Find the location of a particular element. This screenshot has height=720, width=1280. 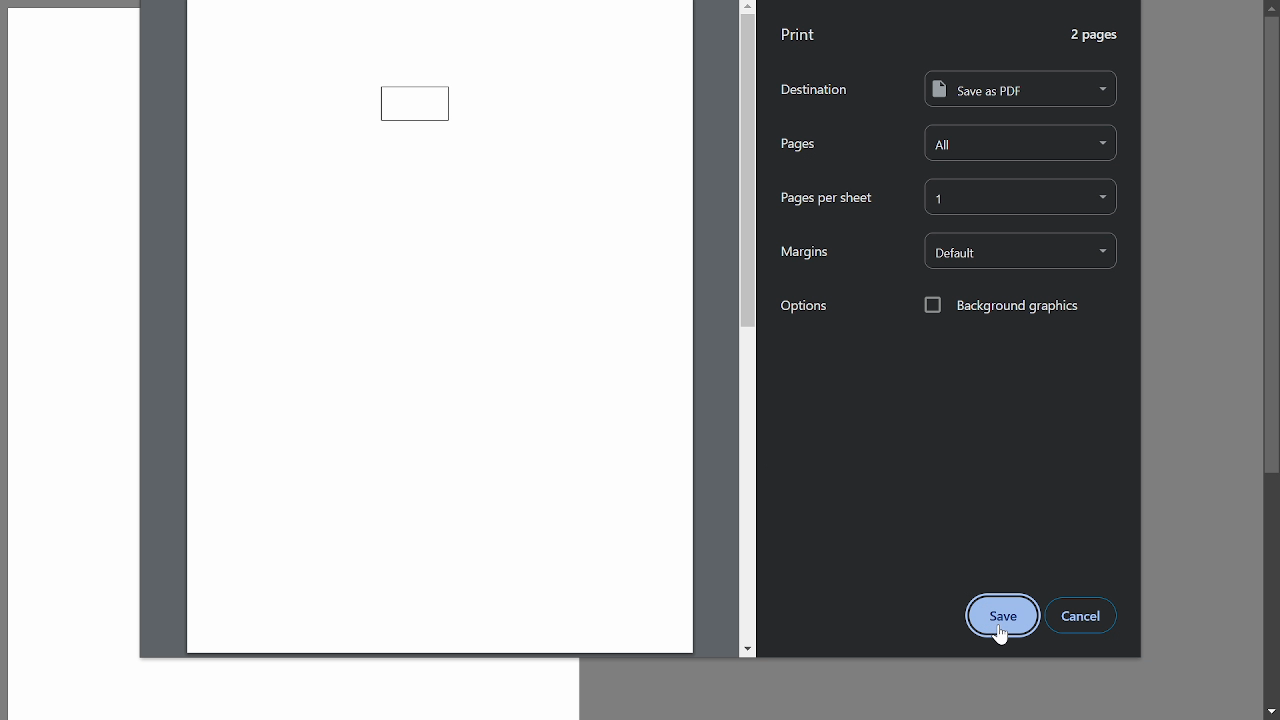

background graphics is located at coordinates (1019, 304).